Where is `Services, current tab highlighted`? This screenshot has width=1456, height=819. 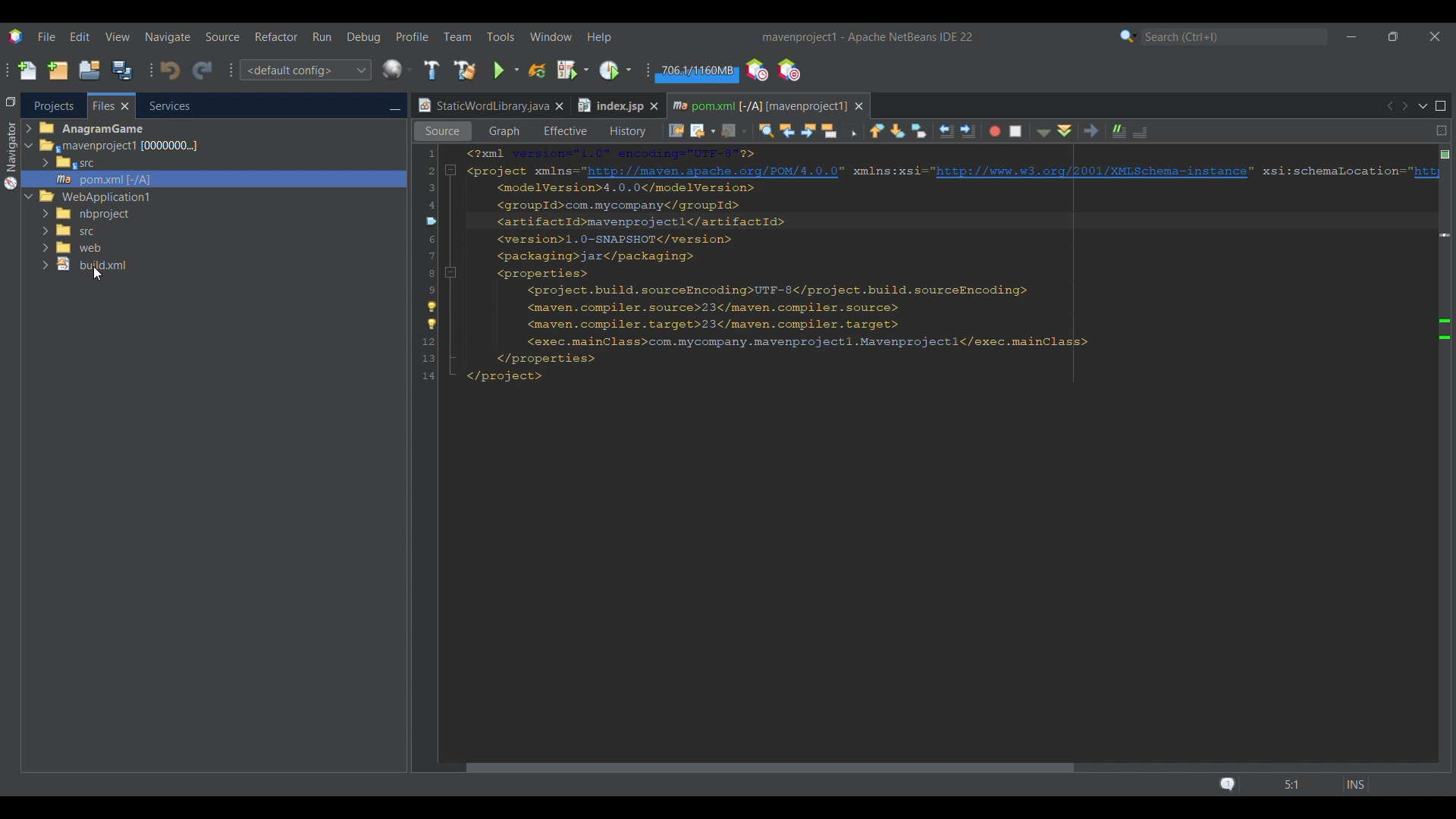 Services, current tab highlighted is located at coordinates (162, 105).